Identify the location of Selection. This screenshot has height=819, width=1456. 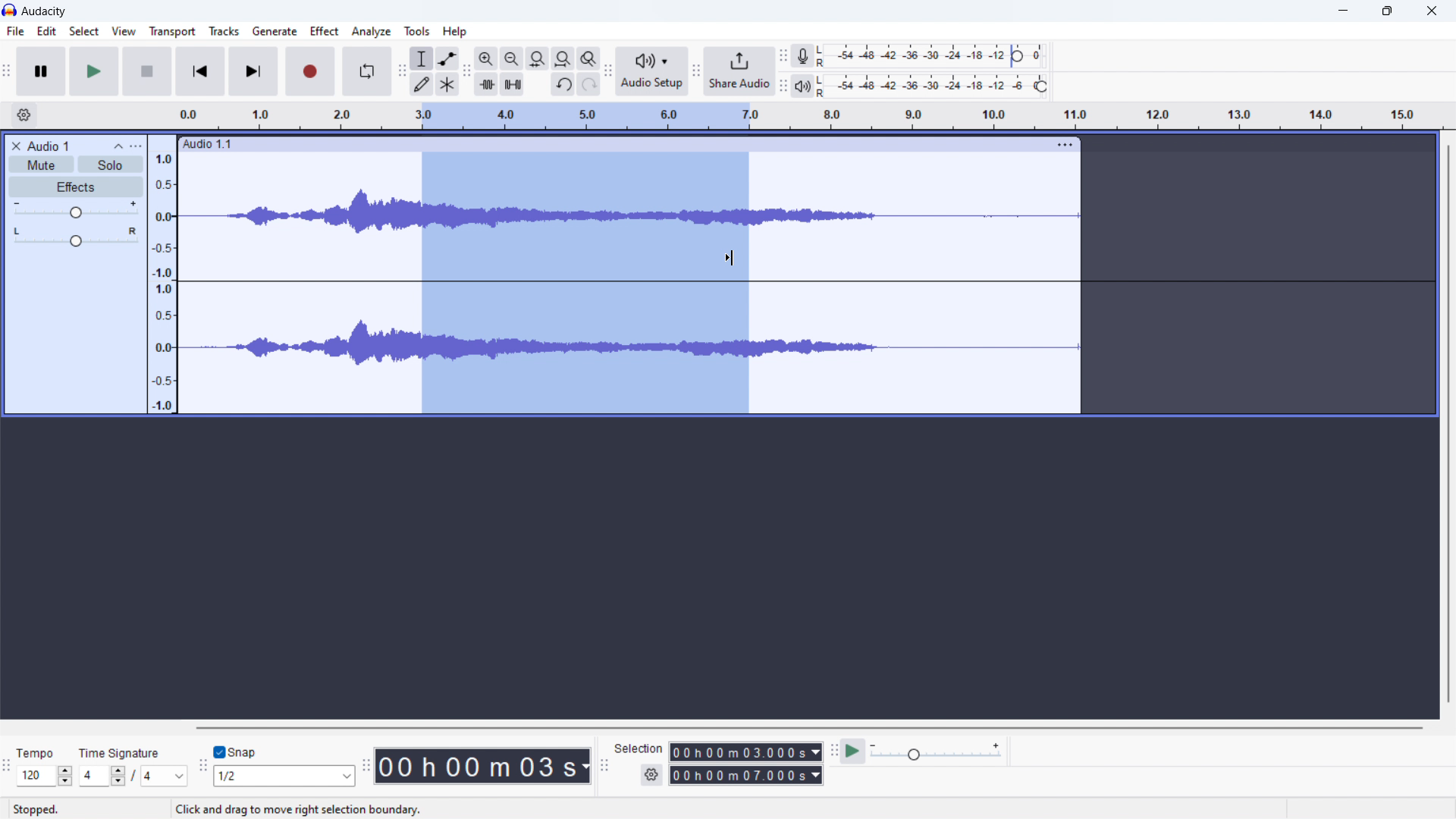
(639, 750).